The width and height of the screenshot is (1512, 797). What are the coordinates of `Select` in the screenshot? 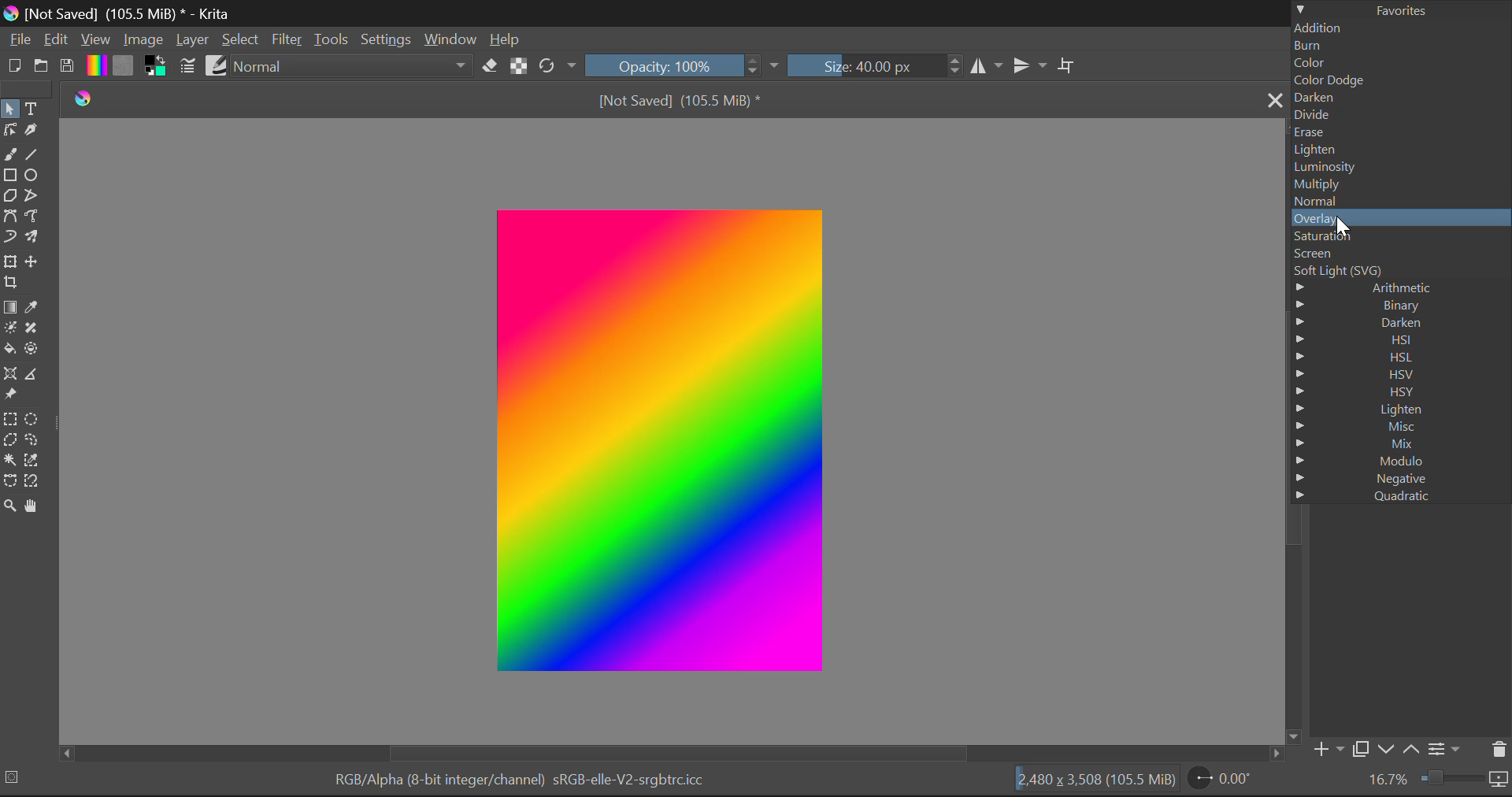 It's located at (9, 109).